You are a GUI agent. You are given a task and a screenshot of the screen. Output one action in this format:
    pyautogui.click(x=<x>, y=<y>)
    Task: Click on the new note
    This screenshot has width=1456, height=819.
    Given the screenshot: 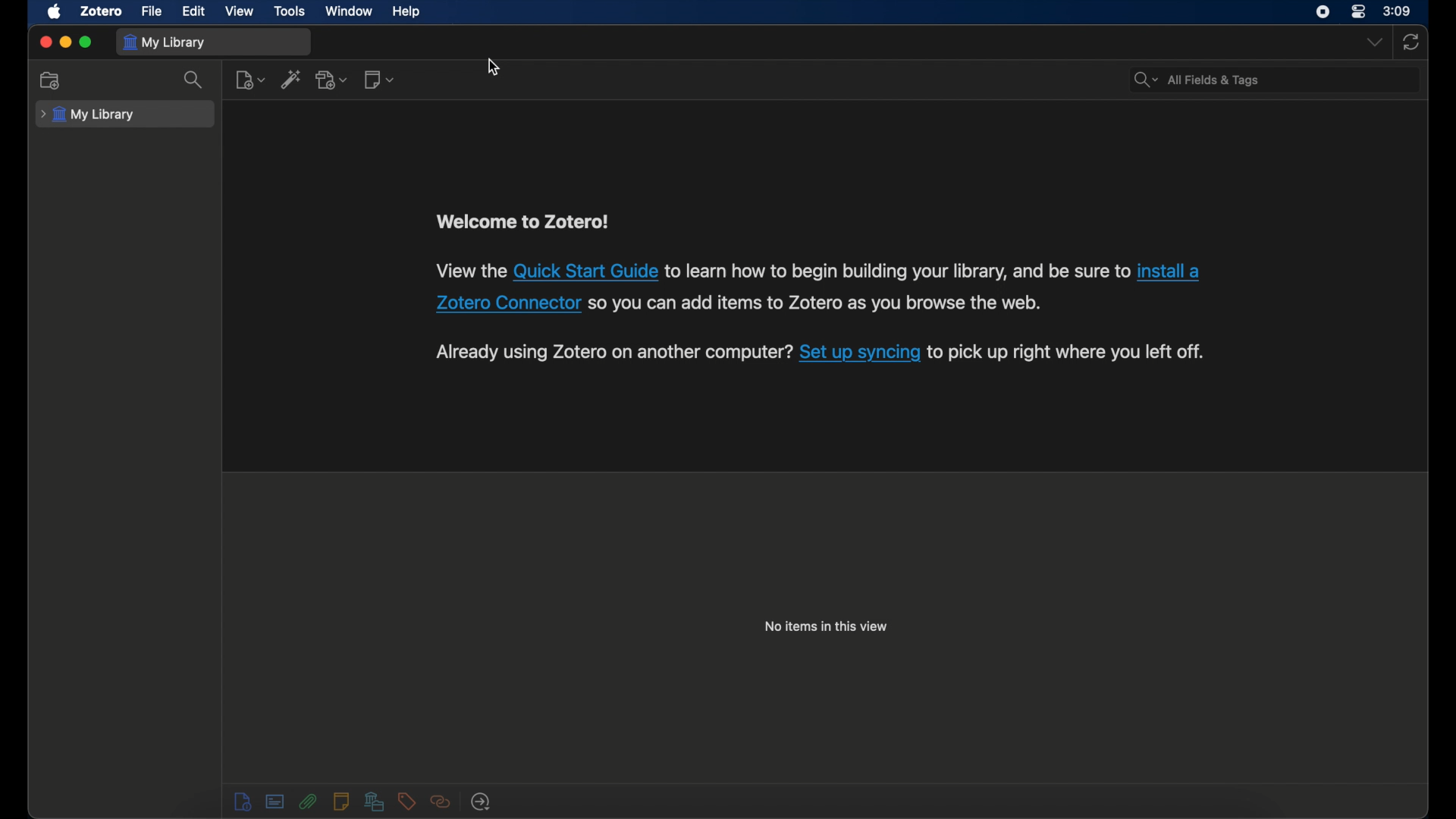 What is the action you would take?
    pyautogui.click(x=378, y=79)
    